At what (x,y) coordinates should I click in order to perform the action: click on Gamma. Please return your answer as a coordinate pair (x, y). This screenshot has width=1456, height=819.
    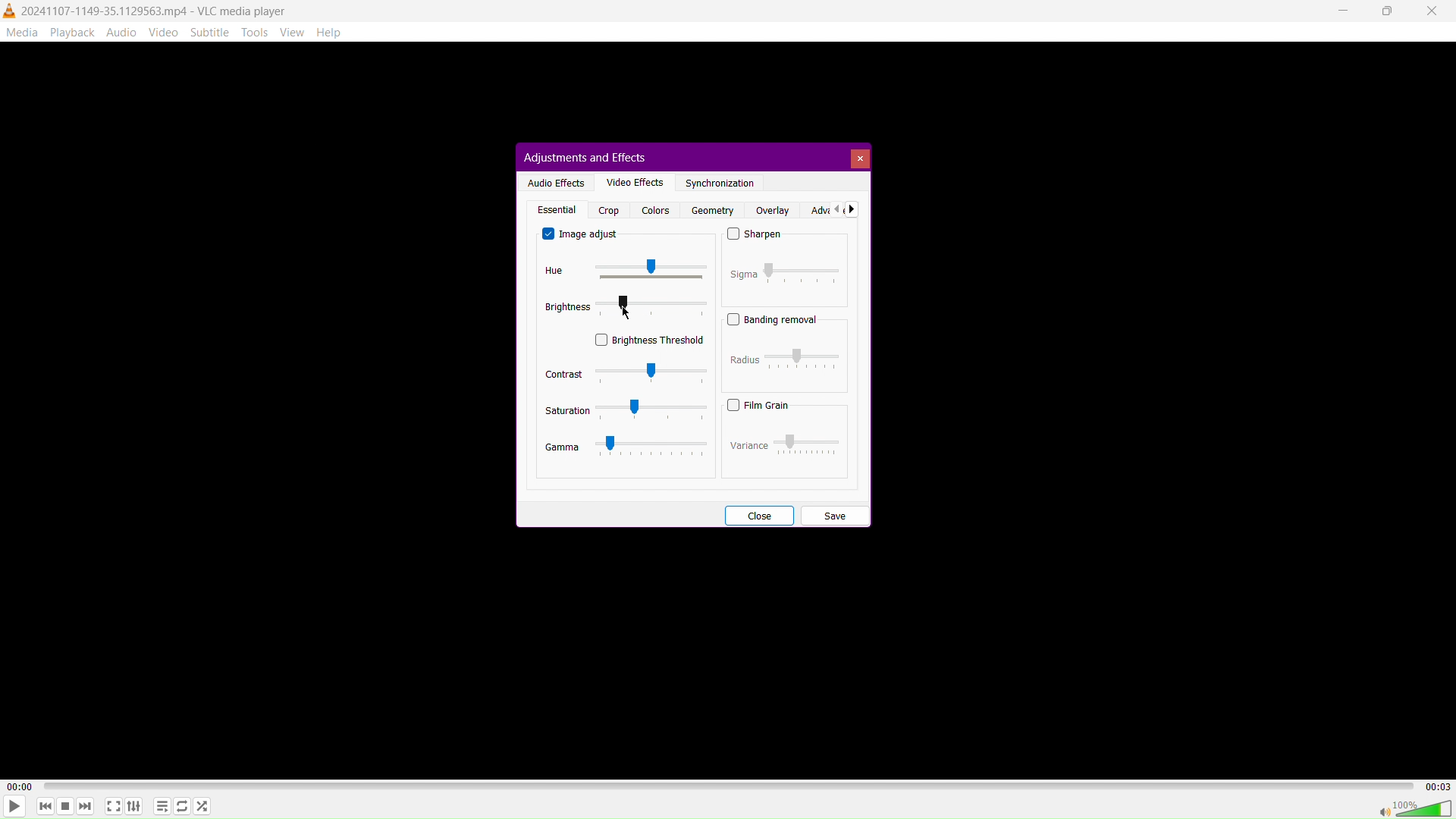
    Looking at the image, I should click on (627, 447).